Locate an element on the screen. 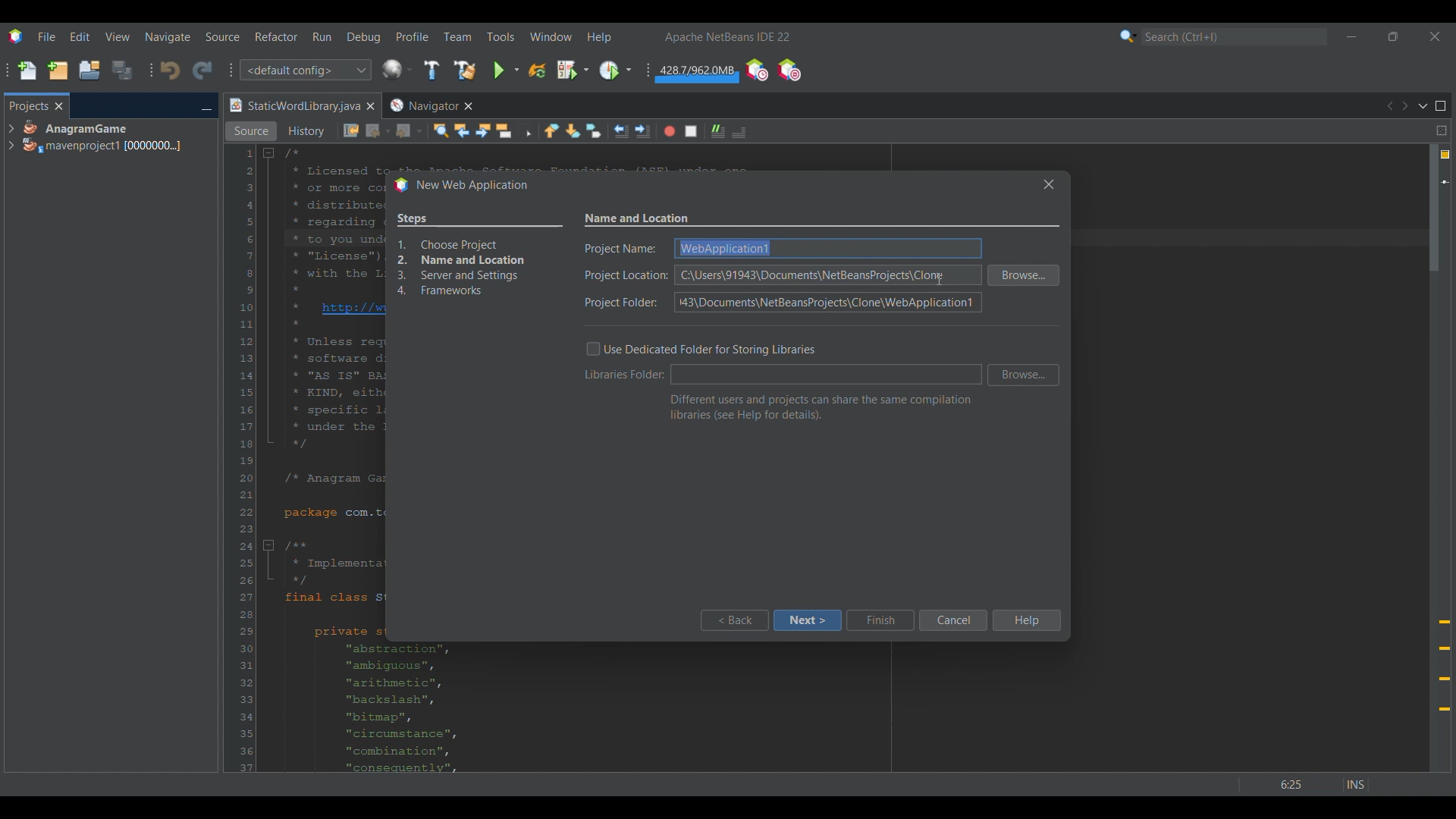 This screenshot has height=819, width=1456. Project options is located at coordinates (103, 136).